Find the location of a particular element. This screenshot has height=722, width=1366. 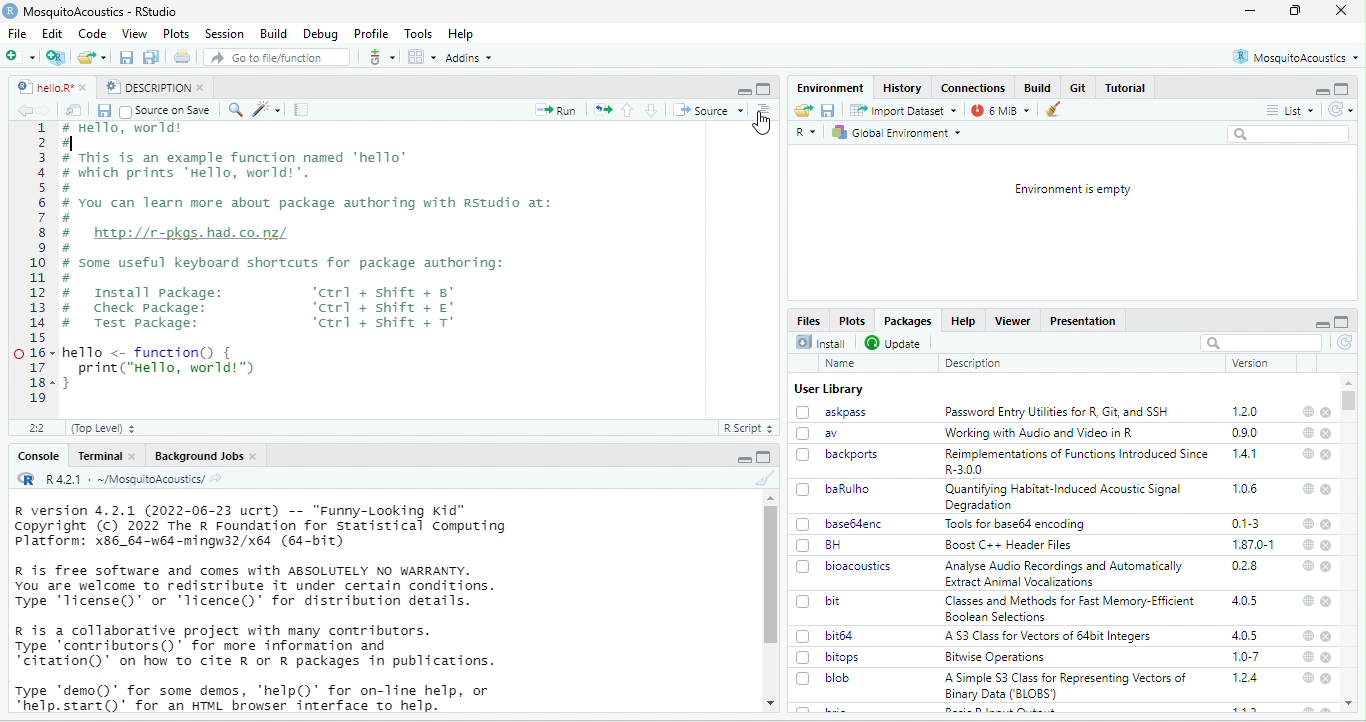

Tutorial is located at coordinates (1125, 88).